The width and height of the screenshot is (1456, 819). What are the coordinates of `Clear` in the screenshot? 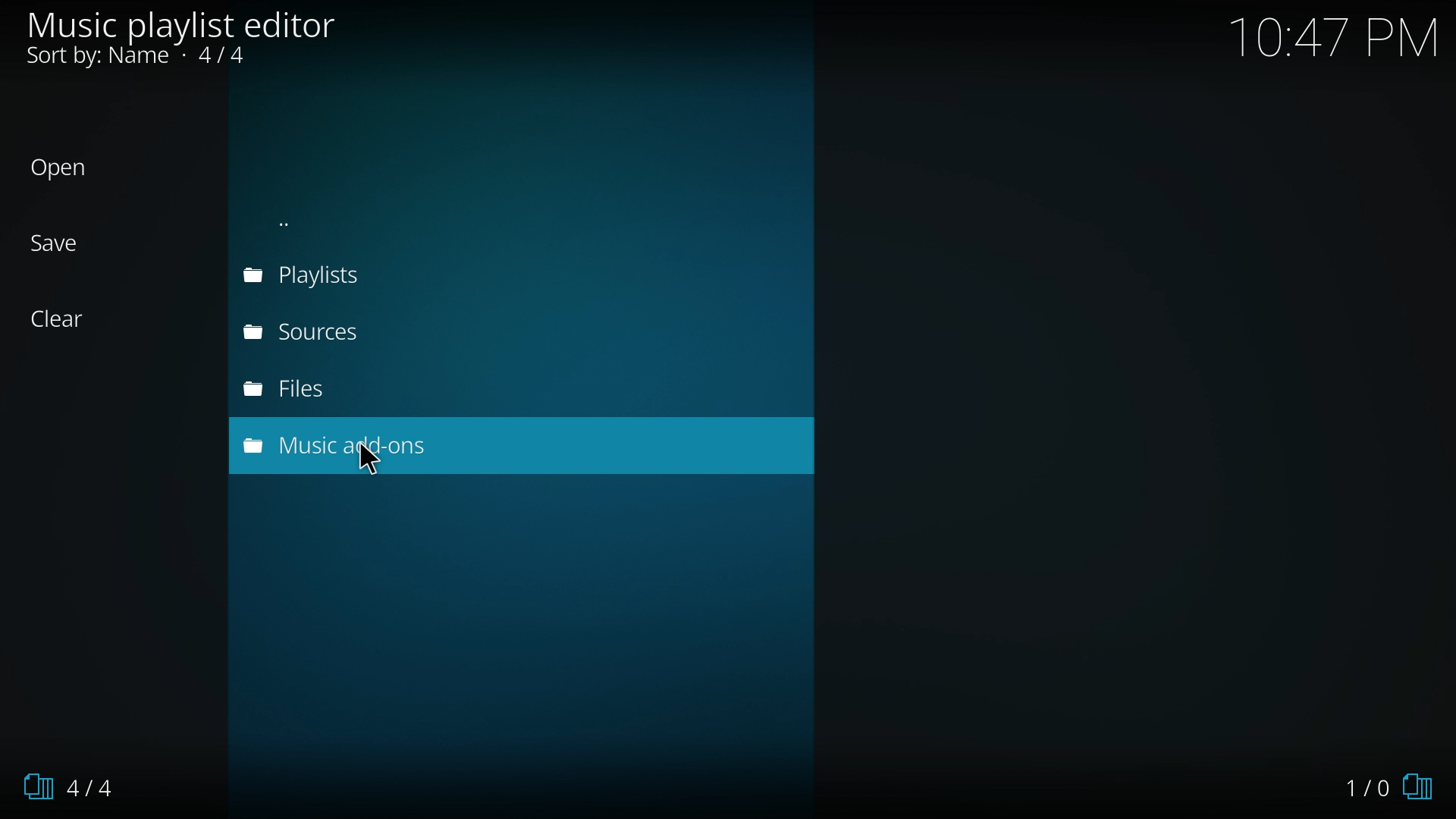 It's located at (68, 319).